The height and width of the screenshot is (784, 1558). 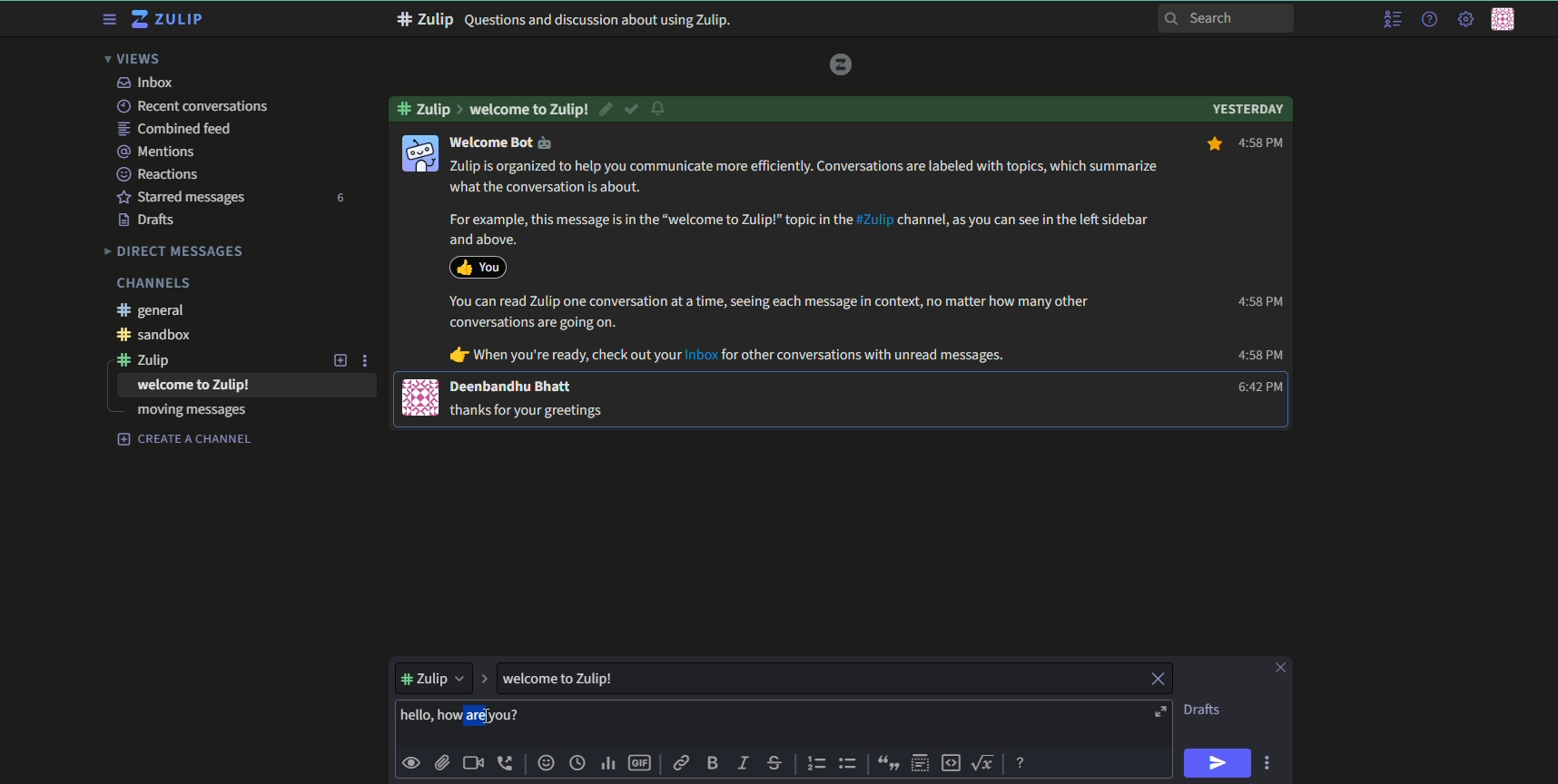 I want to click on add video call, so click(x=473, y=763).